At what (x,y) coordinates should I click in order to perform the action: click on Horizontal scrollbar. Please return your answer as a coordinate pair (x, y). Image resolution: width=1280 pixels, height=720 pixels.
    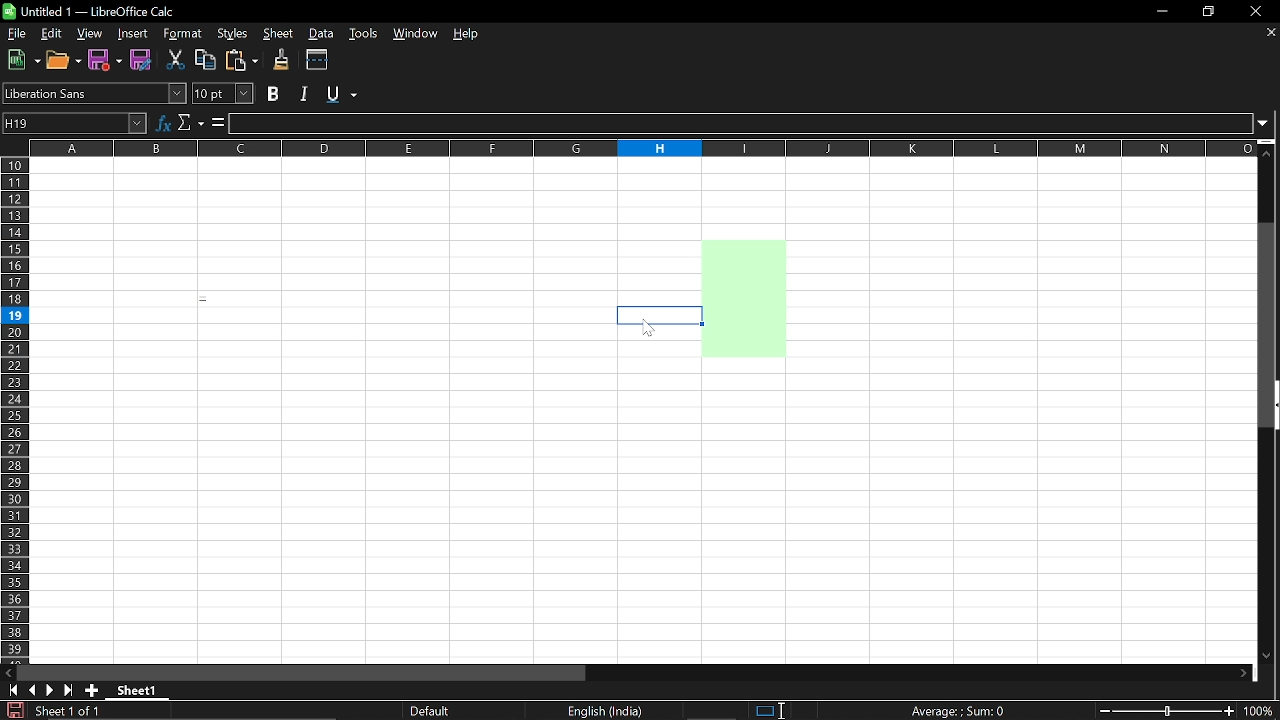
    Looking at the image, I should click on (306, 672).